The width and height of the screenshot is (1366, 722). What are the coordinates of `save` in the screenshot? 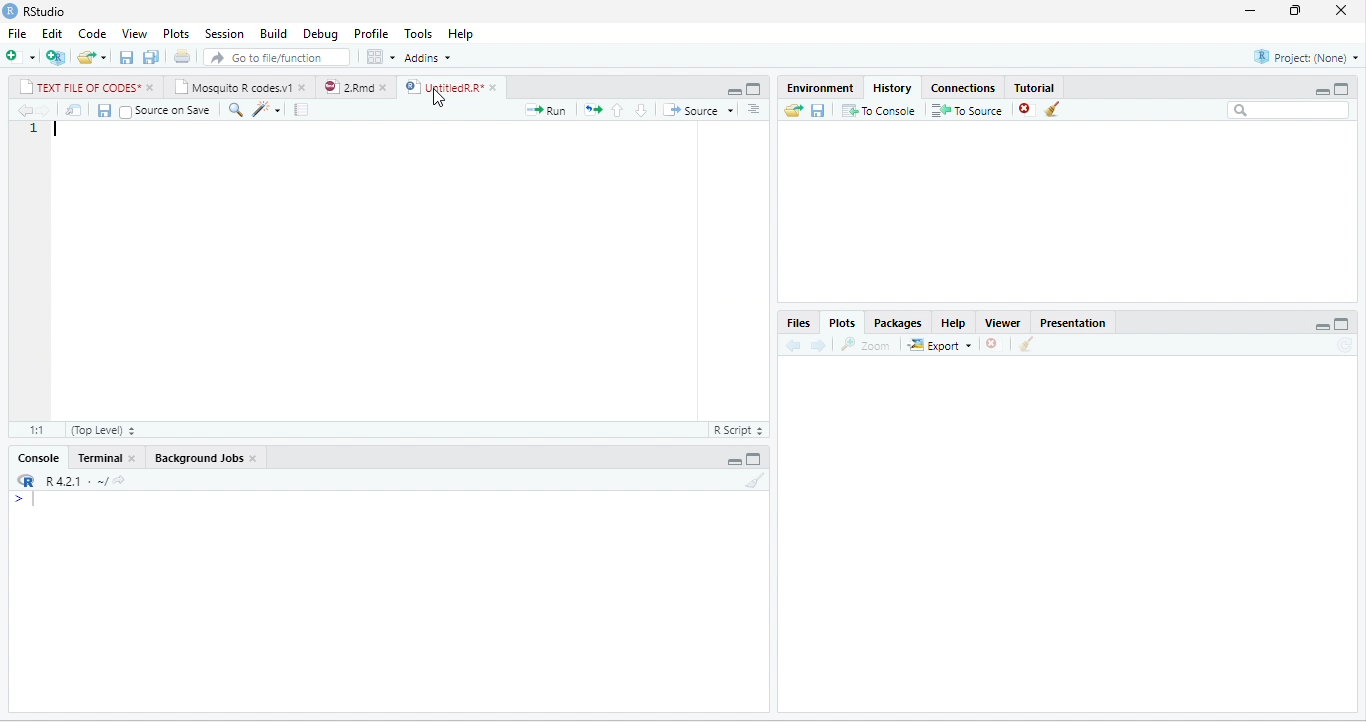 It's located at (105, 110).